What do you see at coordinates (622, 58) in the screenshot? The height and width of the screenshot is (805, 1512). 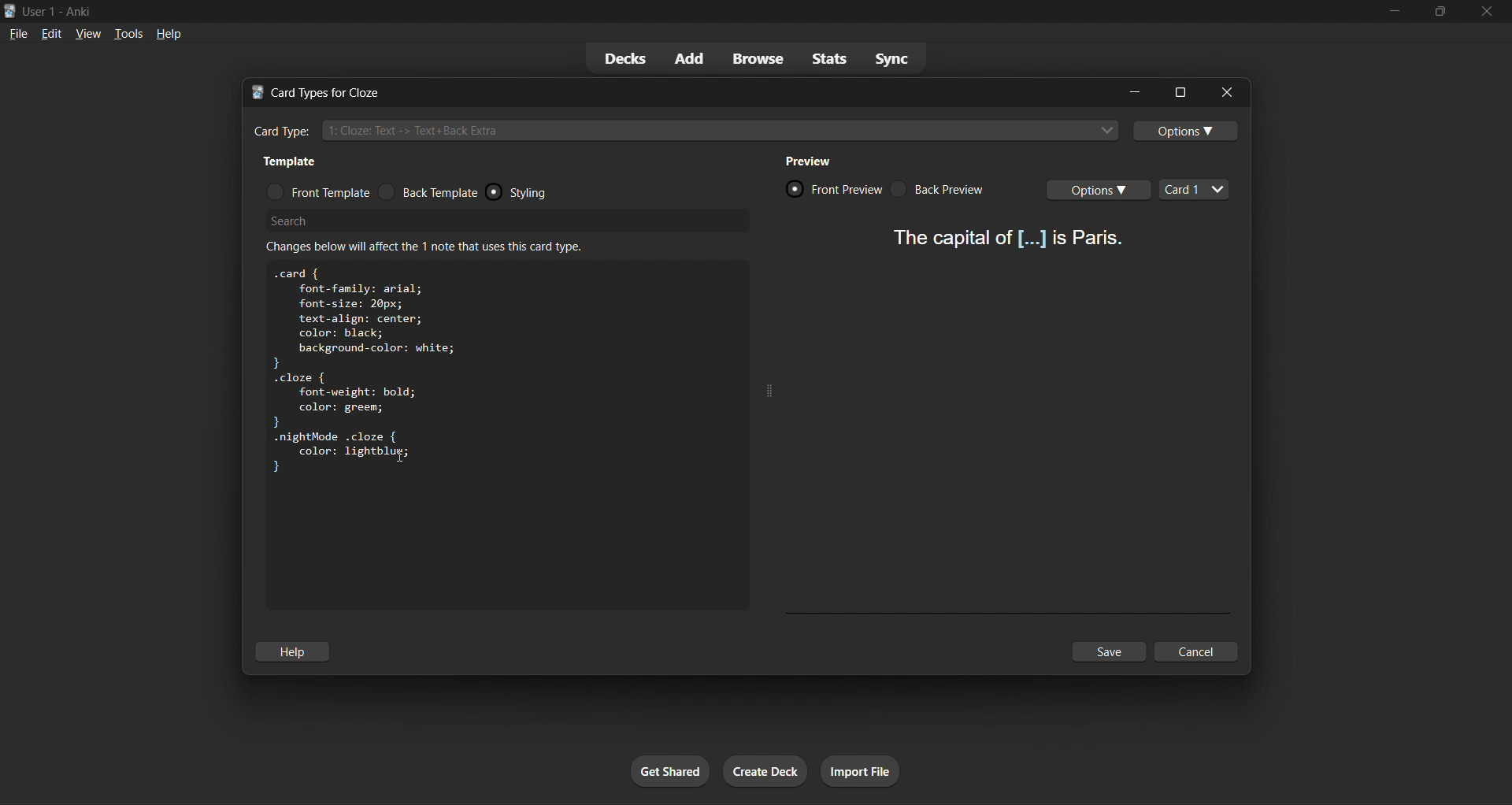 I see `decks` at bounding box center [622, 58].